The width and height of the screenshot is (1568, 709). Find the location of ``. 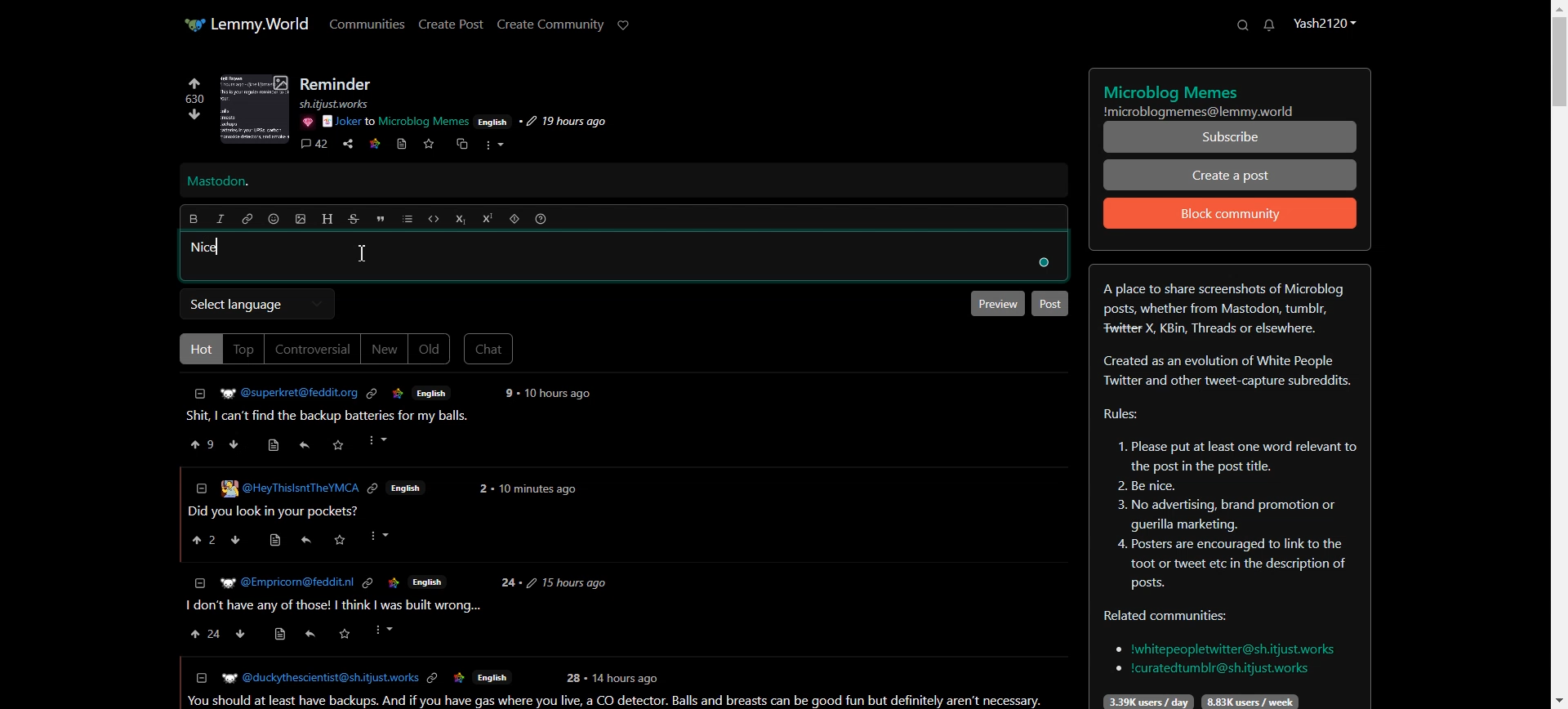

 is located at coordinates (272, 541).